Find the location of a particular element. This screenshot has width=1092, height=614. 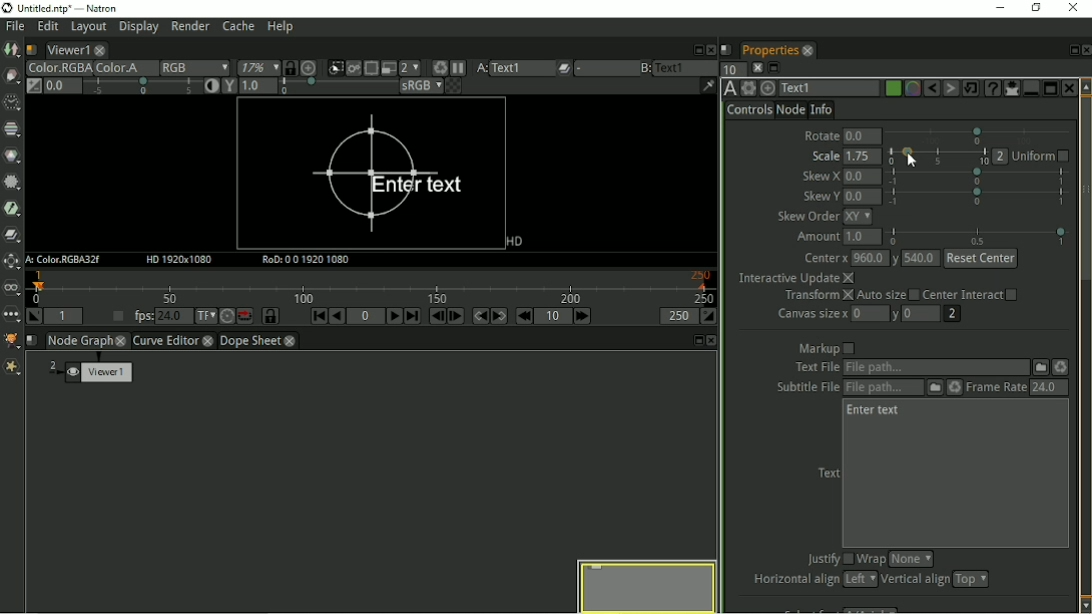

Preview is located at coordinates (644, 586).